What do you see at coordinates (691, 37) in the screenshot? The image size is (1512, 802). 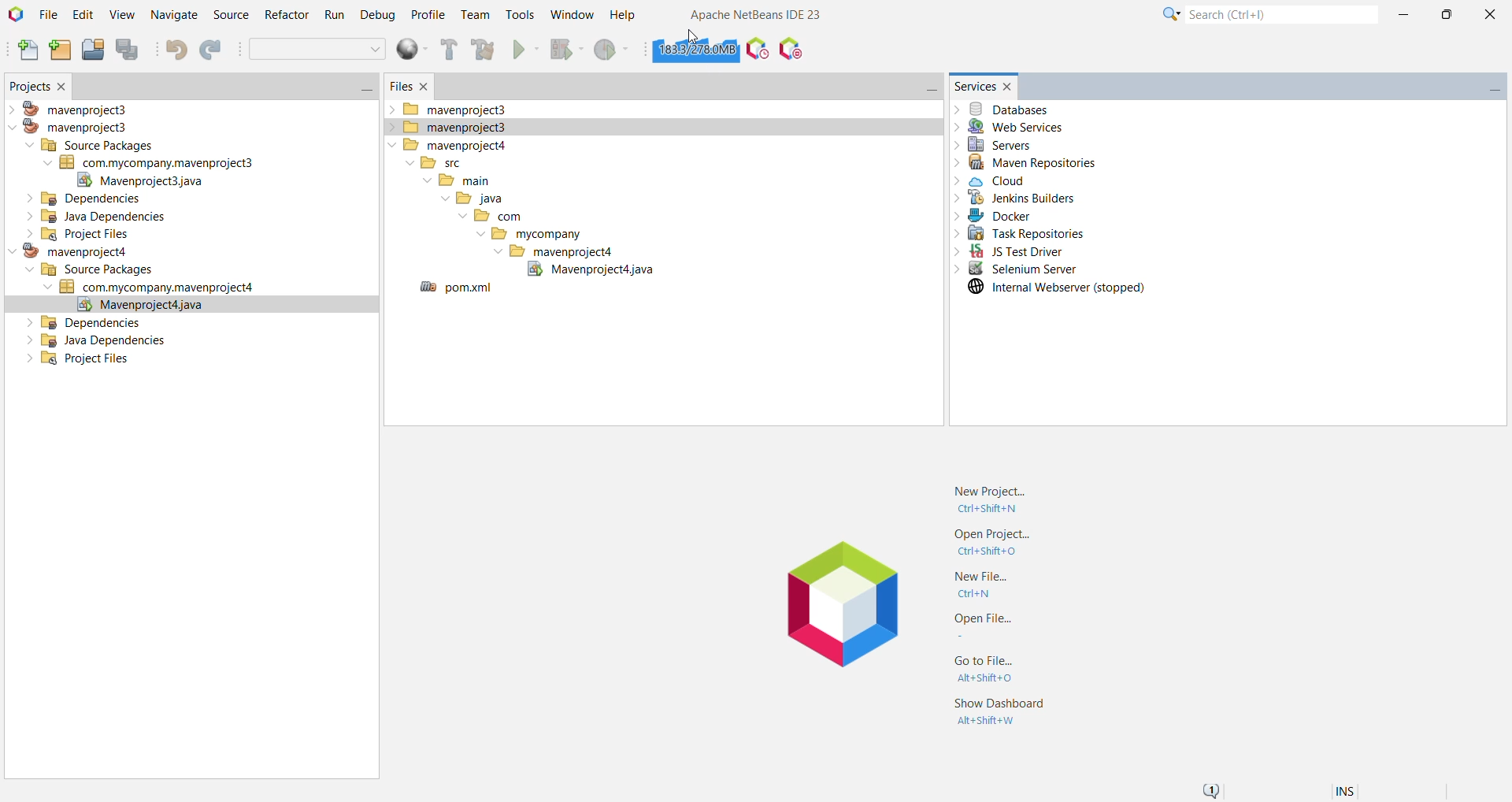 I see `Cursor` at bounding box center [691, 37].